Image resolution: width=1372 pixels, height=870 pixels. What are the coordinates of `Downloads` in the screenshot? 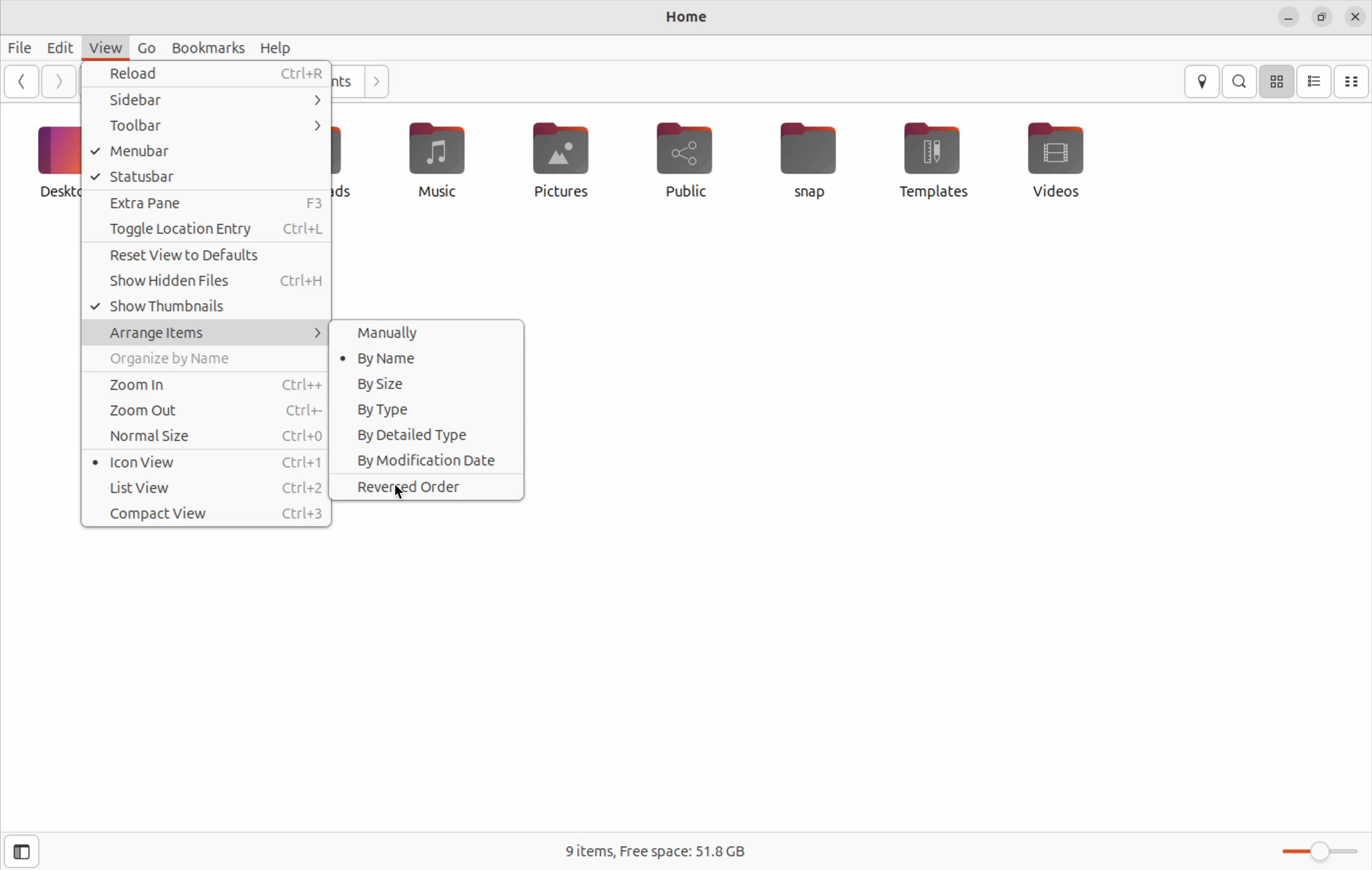 It's located at (347, 162).